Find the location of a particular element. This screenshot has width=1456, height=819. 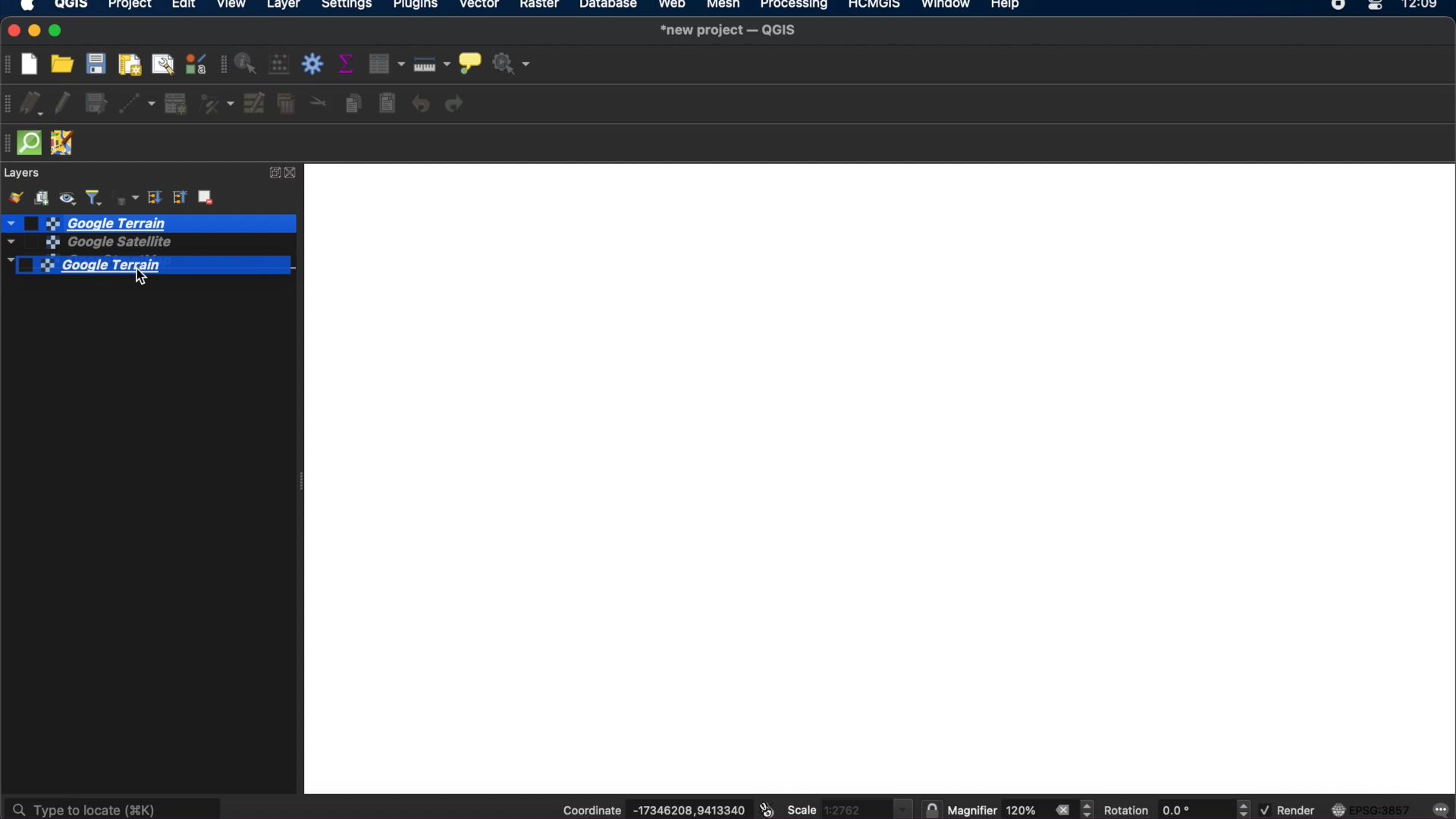

hidden toolbar is located at coordinates (9, 143).